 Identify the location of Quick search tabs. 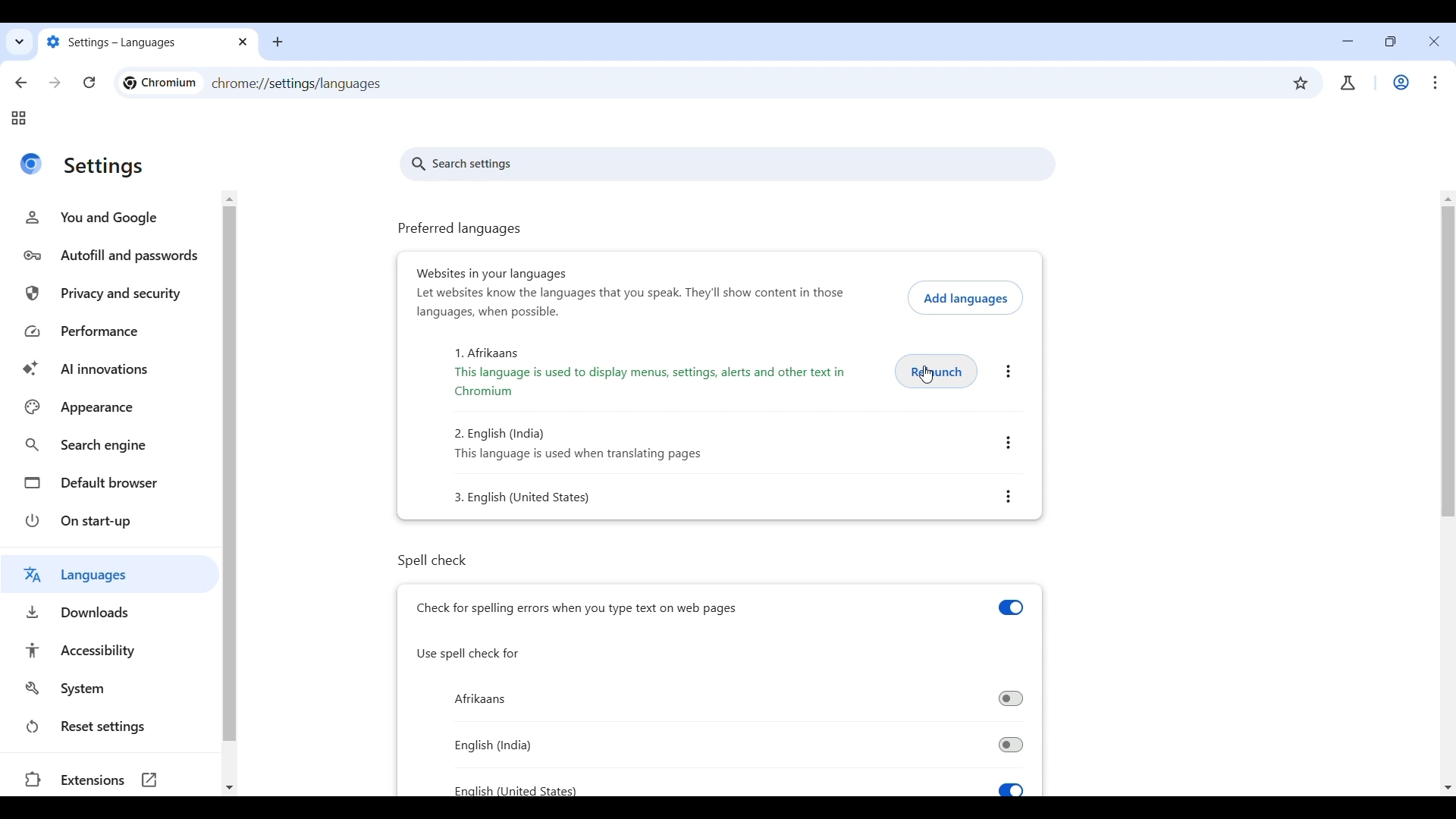
(18, 44).